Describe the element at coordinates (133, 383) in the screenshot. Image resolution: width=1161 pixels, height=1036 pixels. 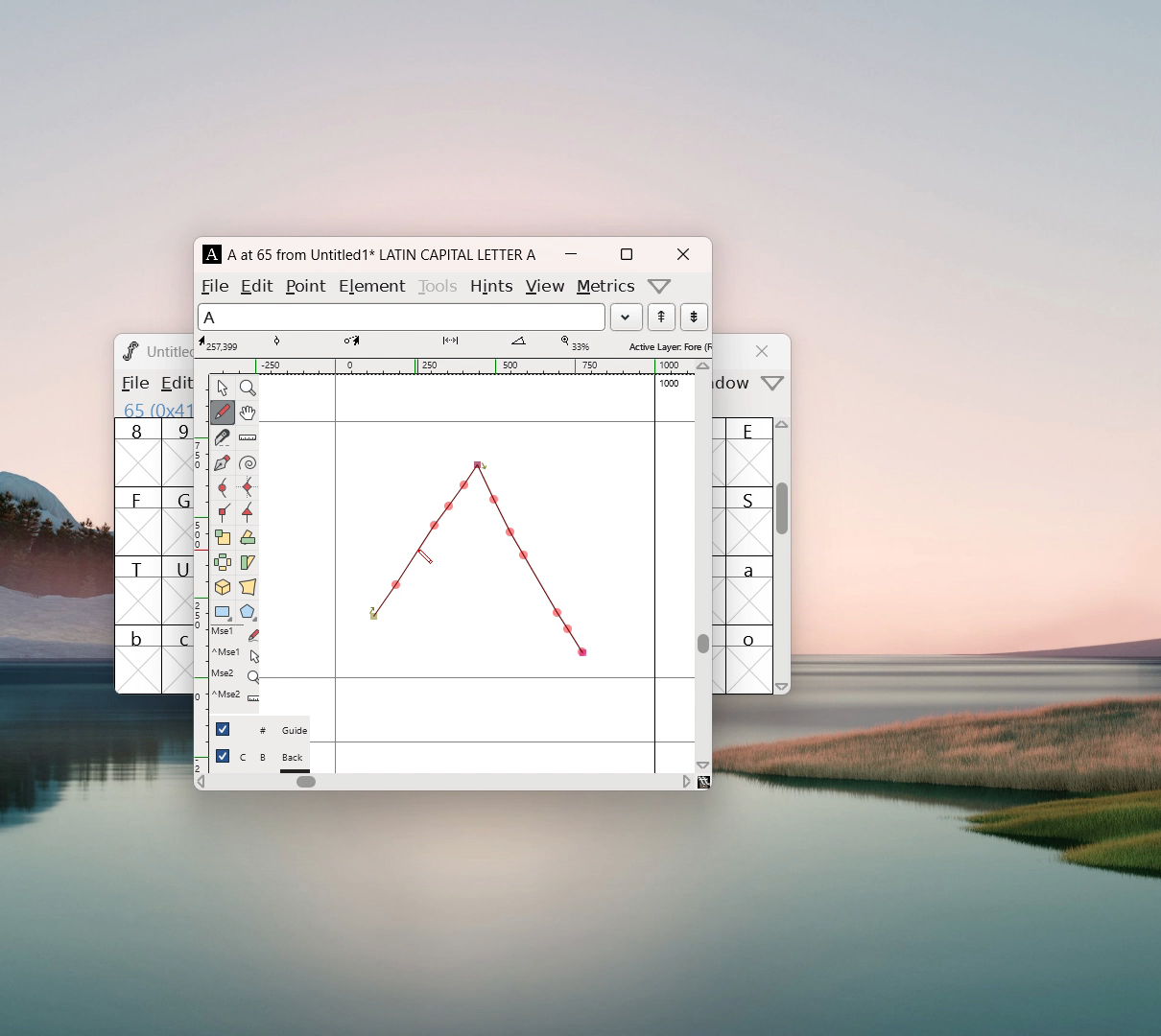
I see `file` at that location.